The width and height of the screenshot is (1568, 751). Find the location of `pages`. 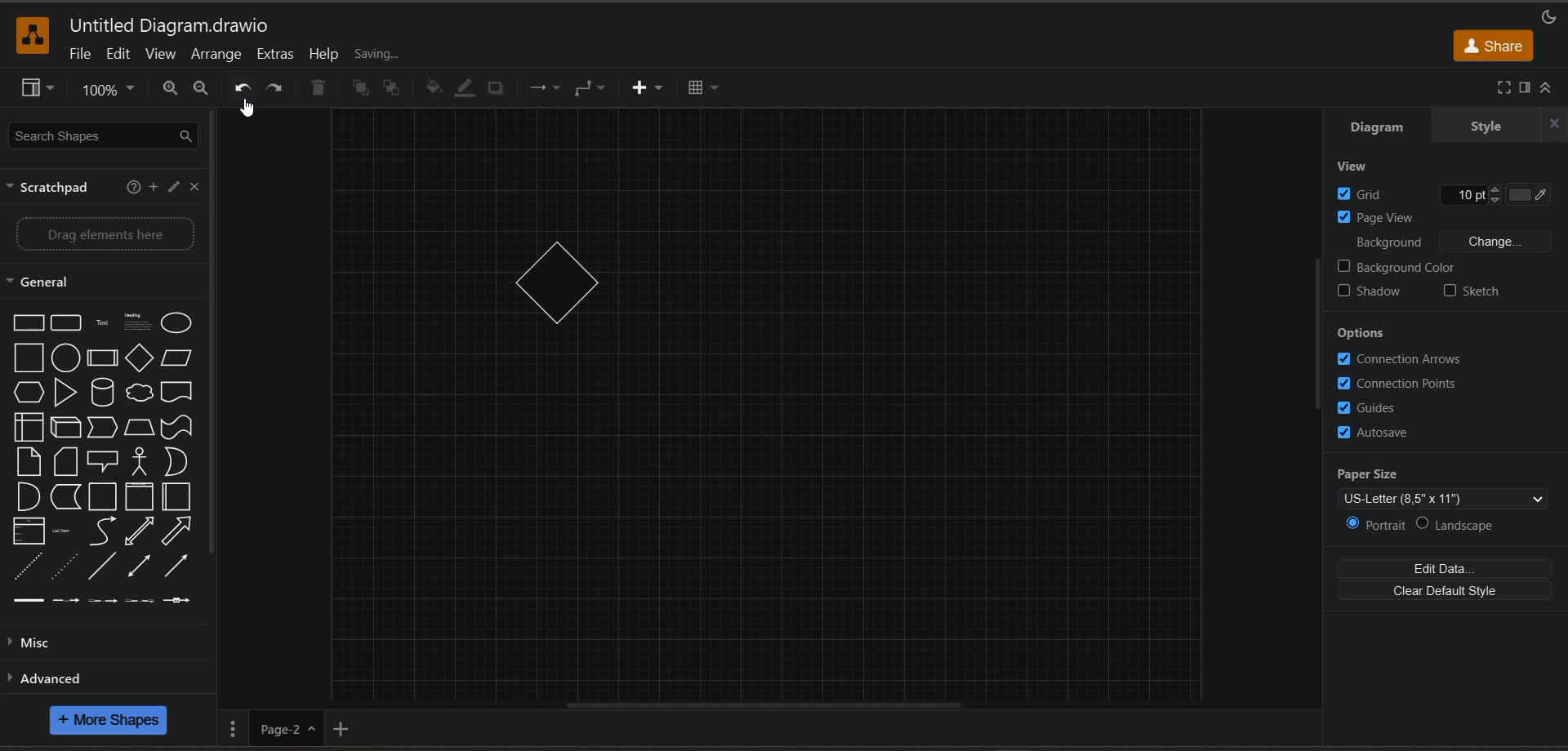

pages is located at coordinates (235, 727).